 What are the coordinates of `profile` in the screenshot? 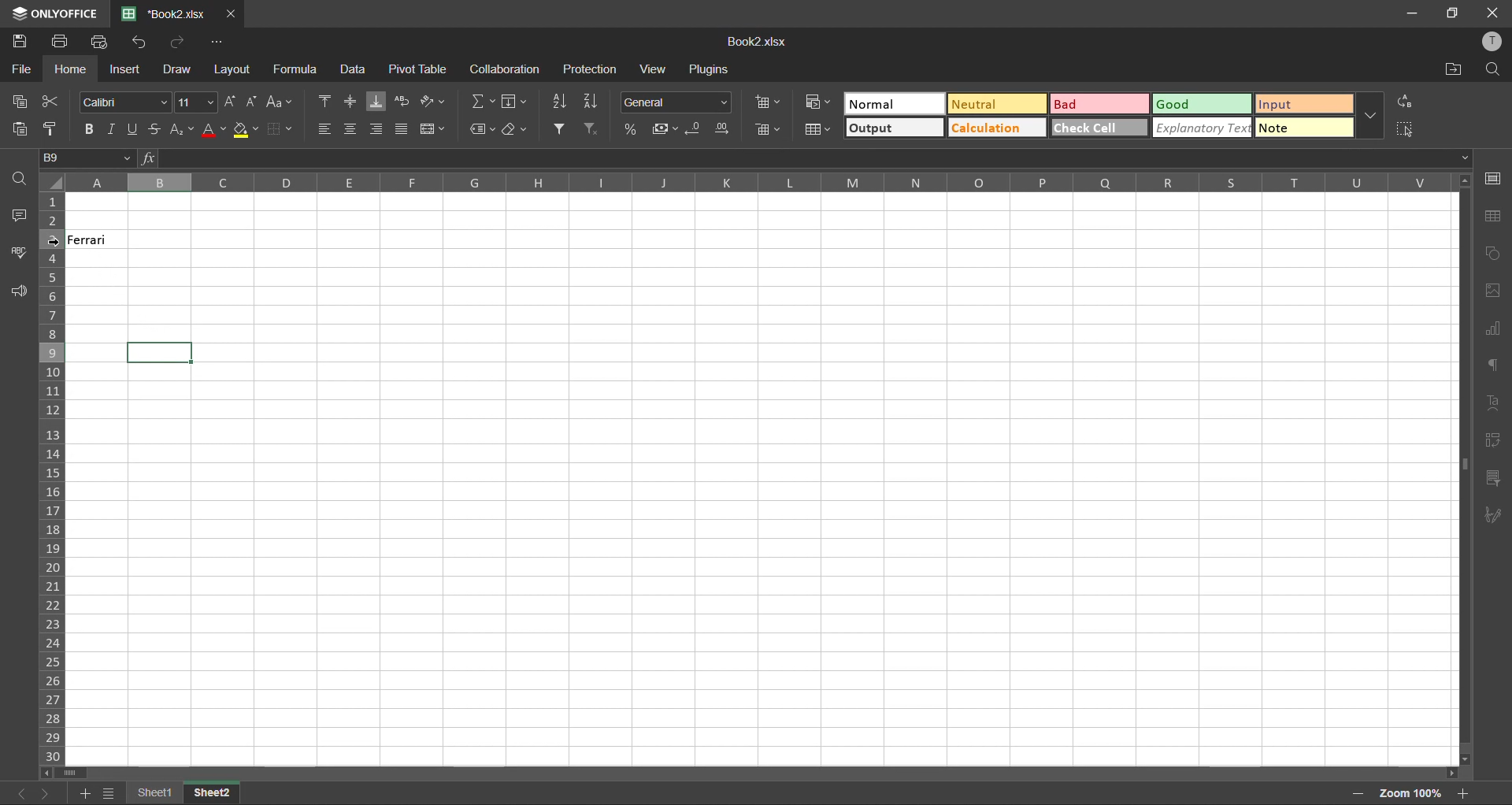 It's located at (1490, 42).